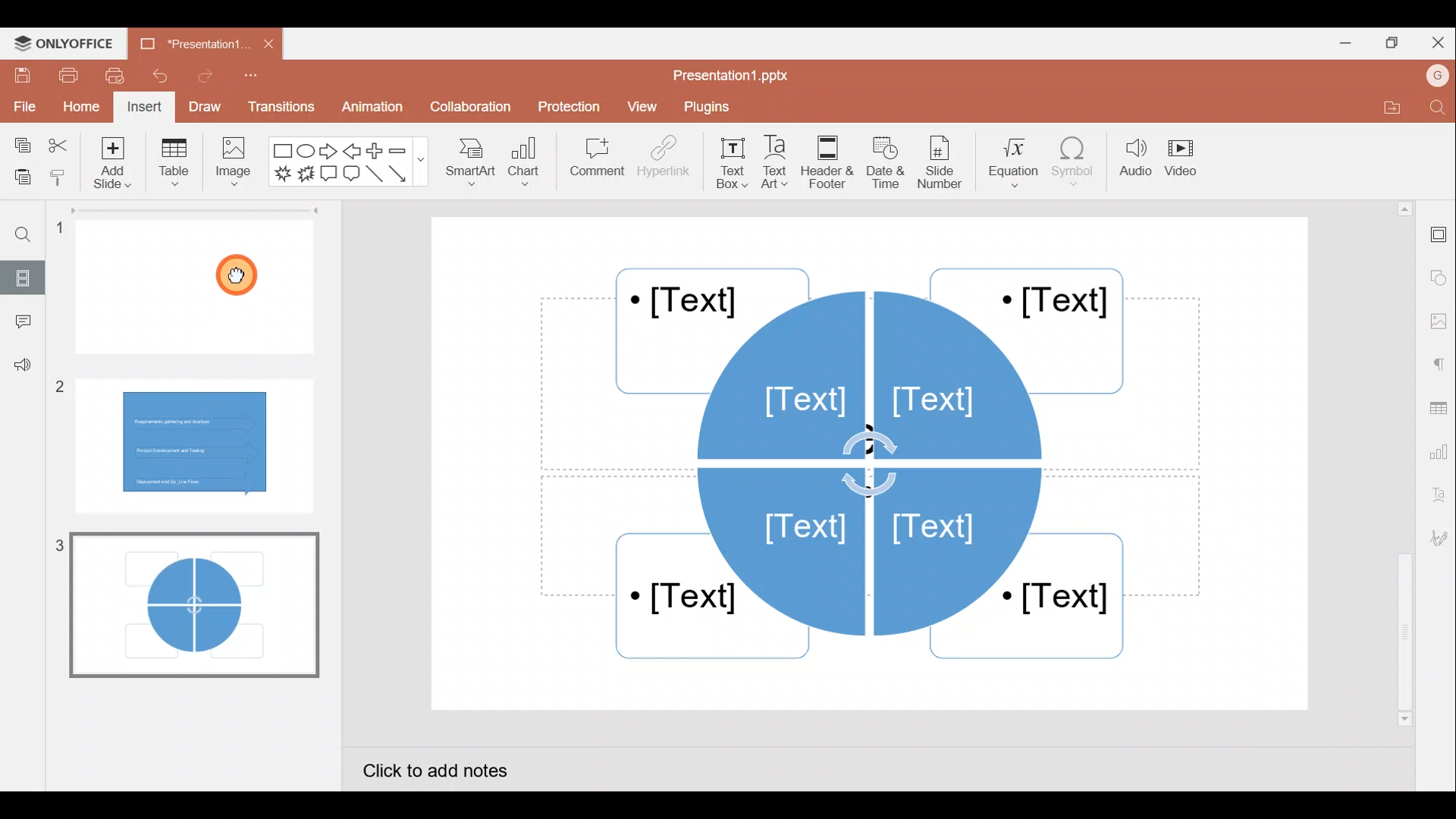  I want to click on Slide 2, so click(196, 441).